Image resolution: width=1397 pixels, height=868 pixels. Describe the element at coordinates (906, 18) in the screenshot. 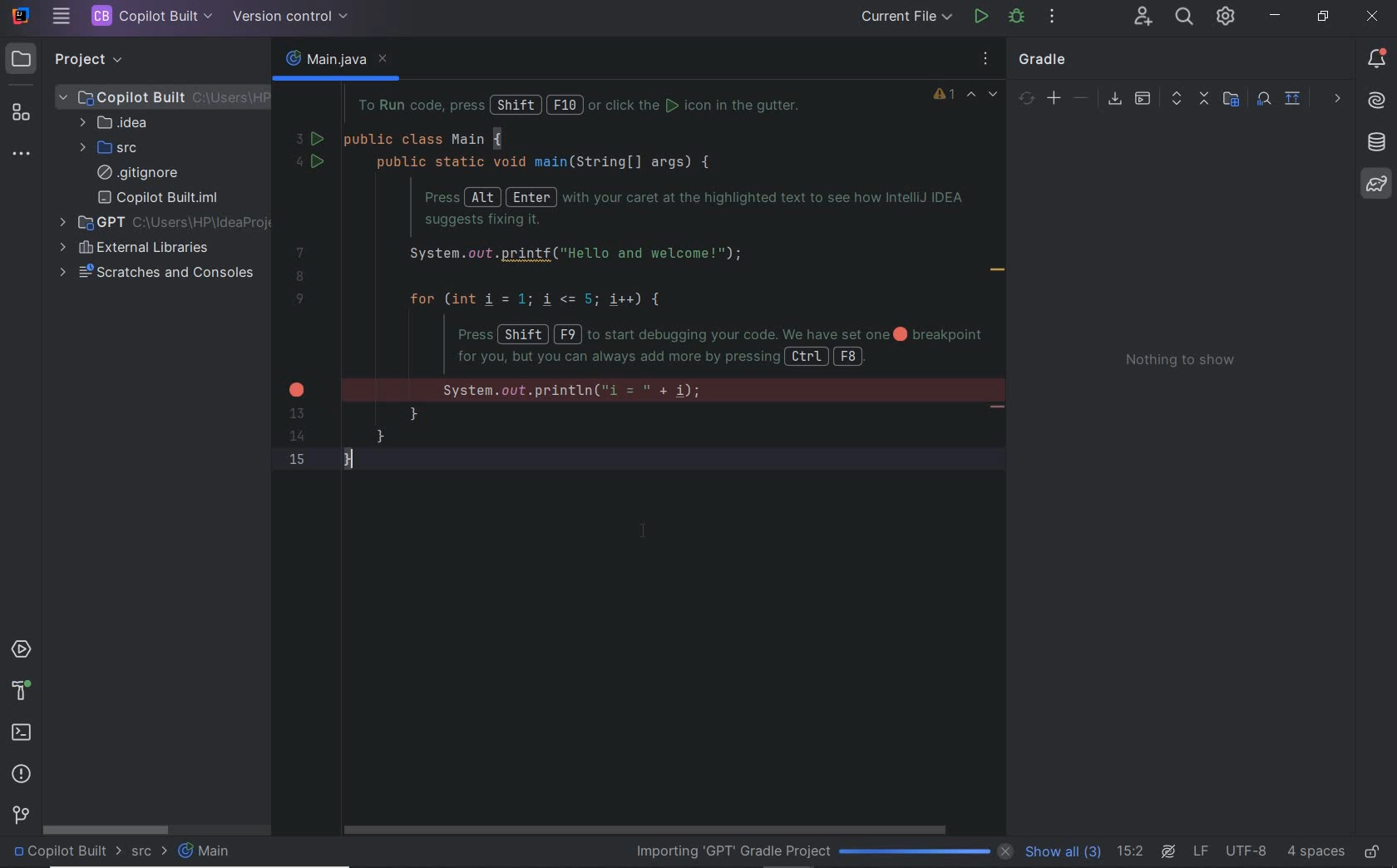

I see `RUN/DEBUG CONFIGURATION` at that location.